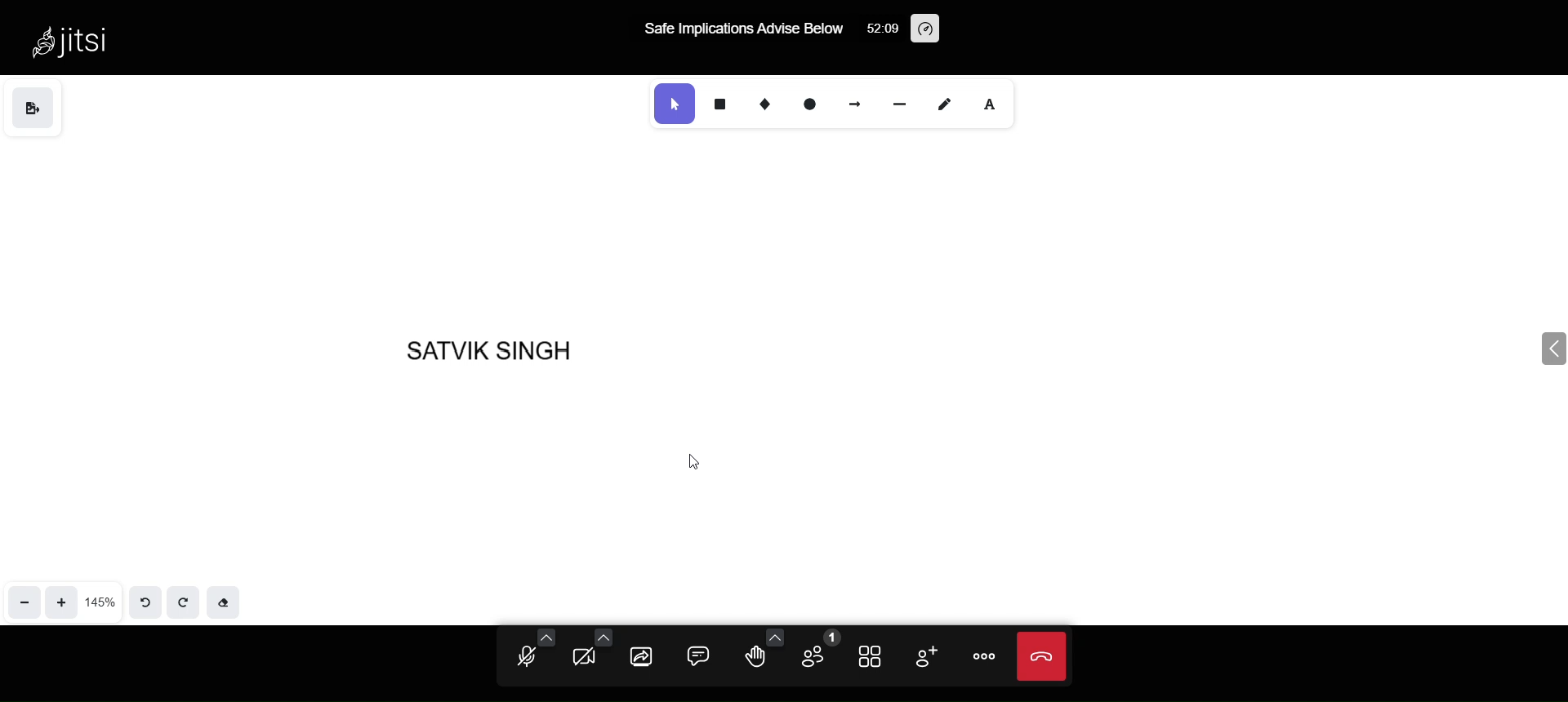 Image resolution: width=1568 pixels, height=702 pixels. Describe the element at coordinates (880, 32) in the screenshot. I see `52:09` at that location.